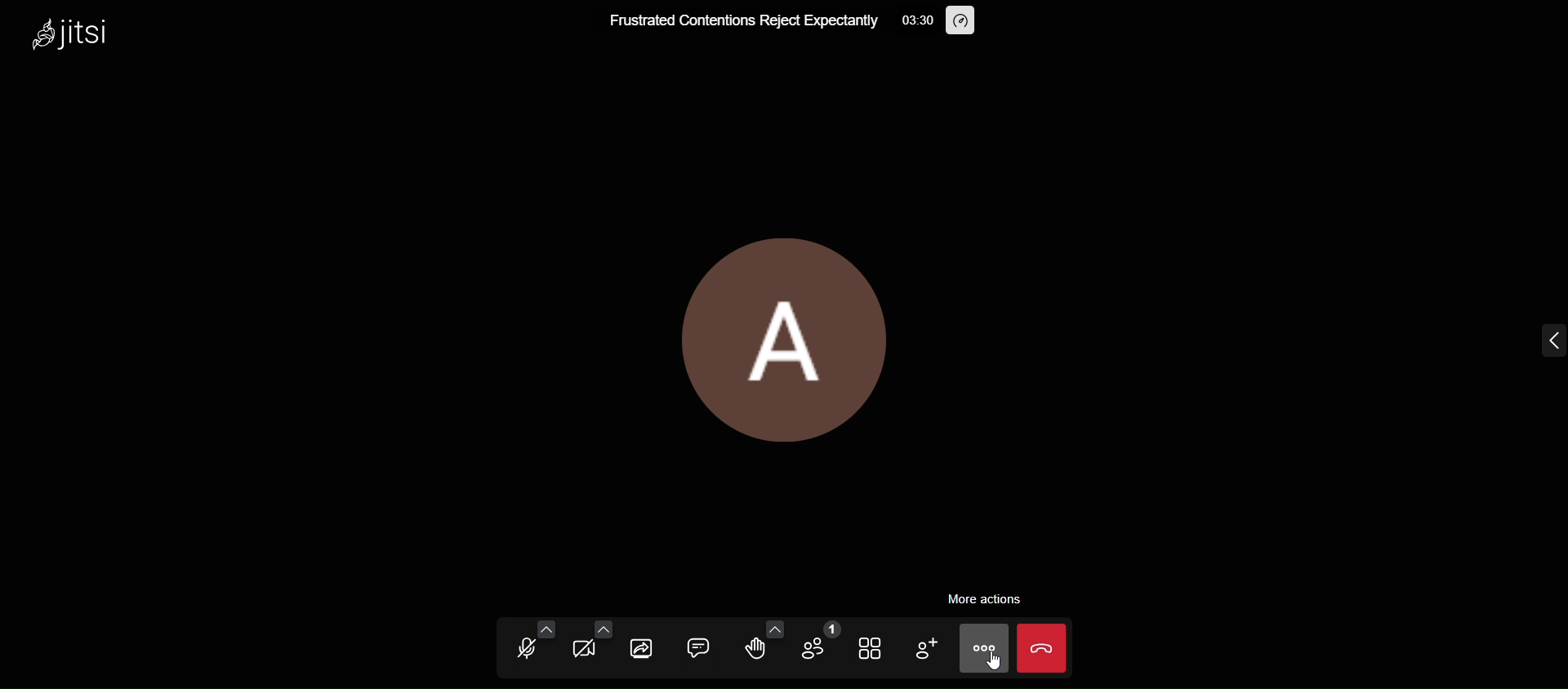 This screenshot has width=1568, height=689. What do you see at coordinates (742, 25) in the screenshot?
I see `Frustrated Contentions Reject Expectantly` at bounding box center [742, 25].